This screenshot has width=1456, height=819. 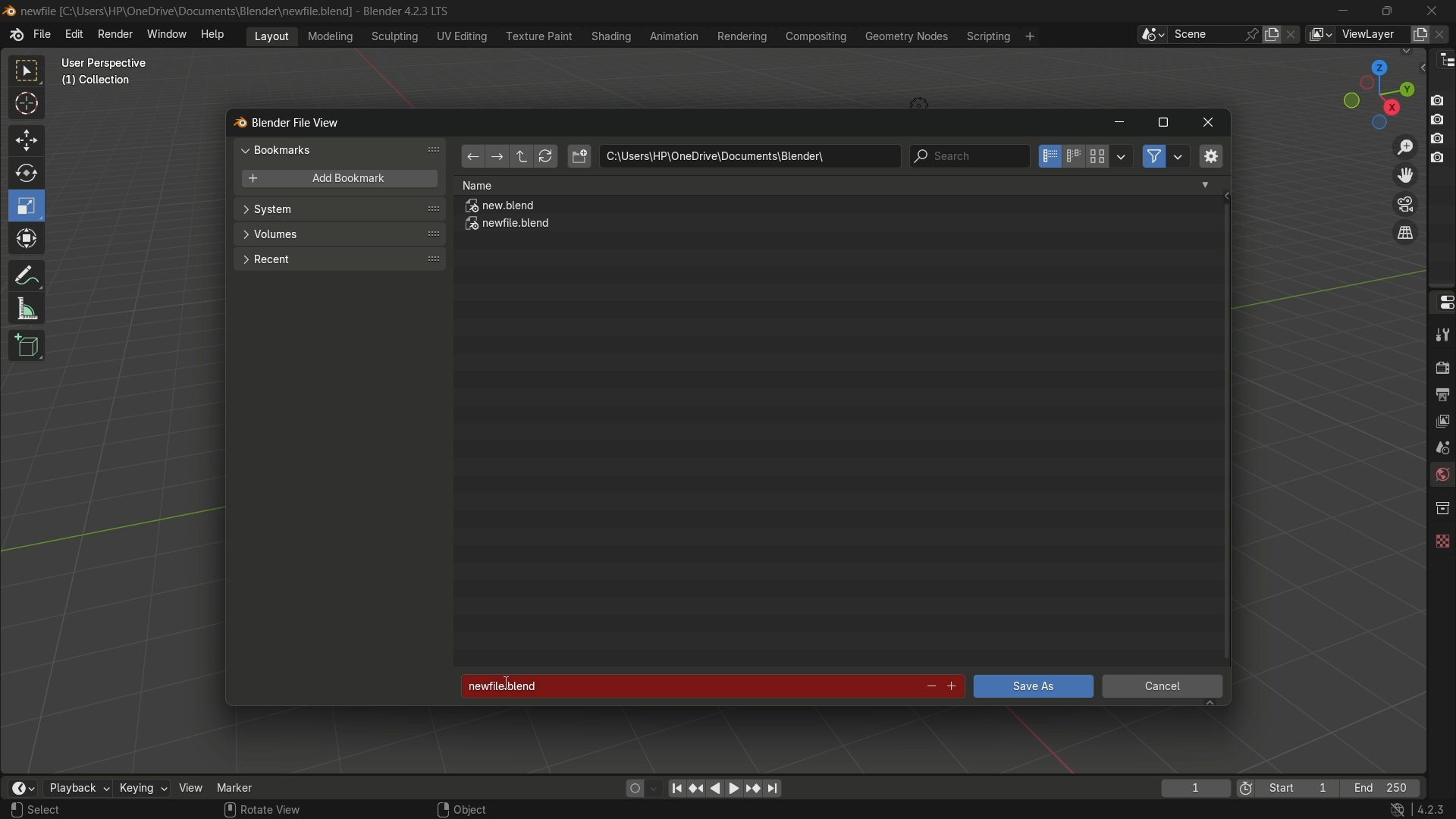 What do you see at coordinates (697, 786) in the screenshot?
I see `jump to keyframe` at bounding box center [697, 786].